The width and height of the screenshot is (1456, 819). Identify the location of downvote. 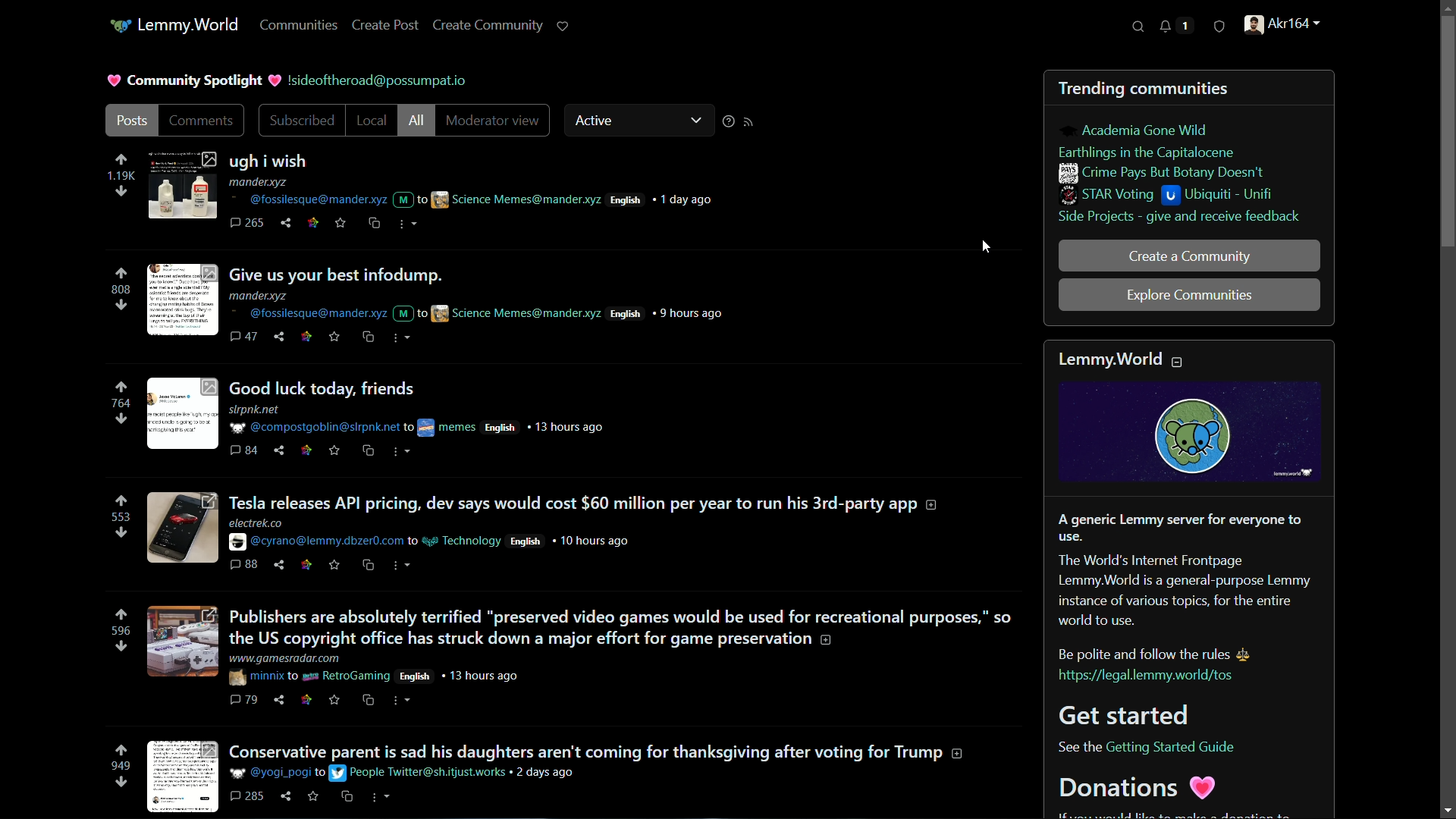
(121, 419).